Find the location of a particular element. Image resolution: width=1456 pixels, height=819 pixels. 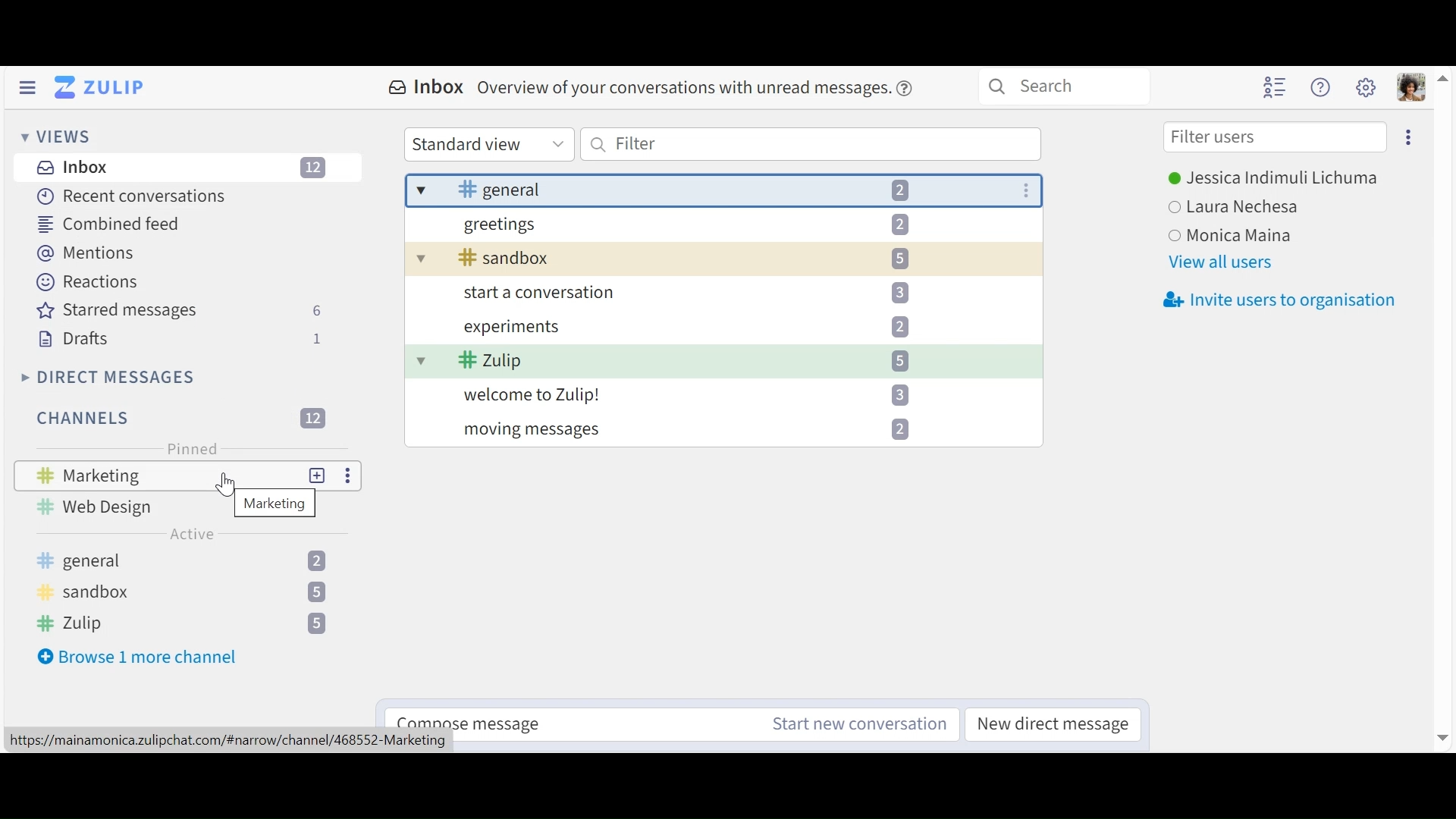

pop up is located at coordinates (278, 503).